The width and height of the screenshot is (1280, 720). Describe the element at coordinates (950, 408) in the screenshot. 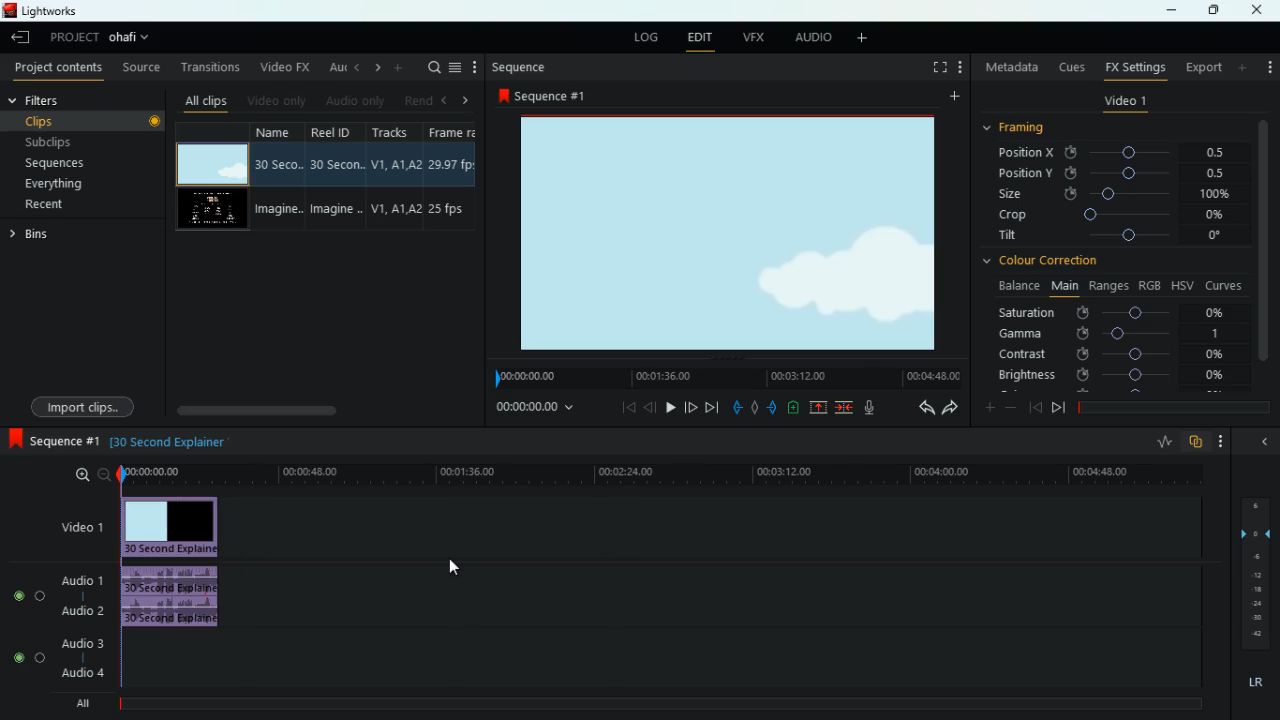

I see `forward` at that location.